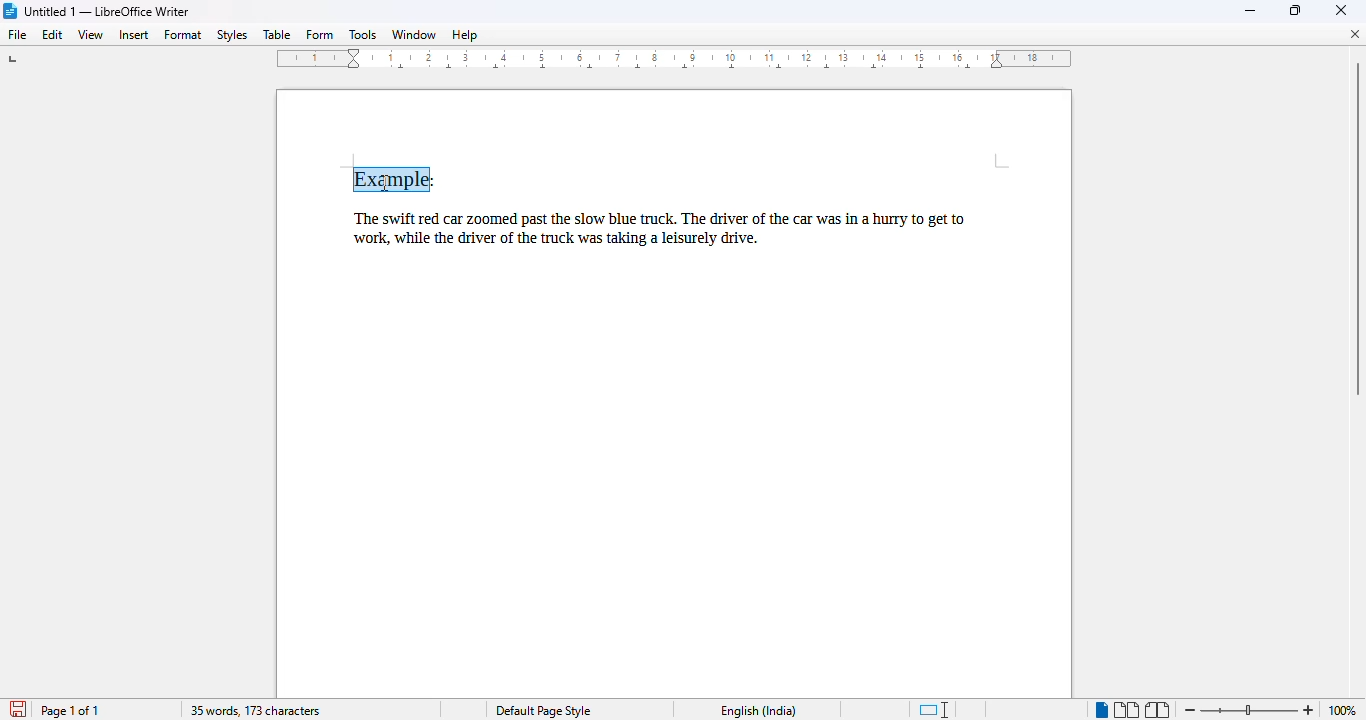 The height and width of the screenshot is (720, 1366). I want to click on  The swift red car zoomed past the slow blue truck. The driver of the car was in a hurry to get to work, while the driver of the truck was taking a leisurely drive., so click(680, 242).